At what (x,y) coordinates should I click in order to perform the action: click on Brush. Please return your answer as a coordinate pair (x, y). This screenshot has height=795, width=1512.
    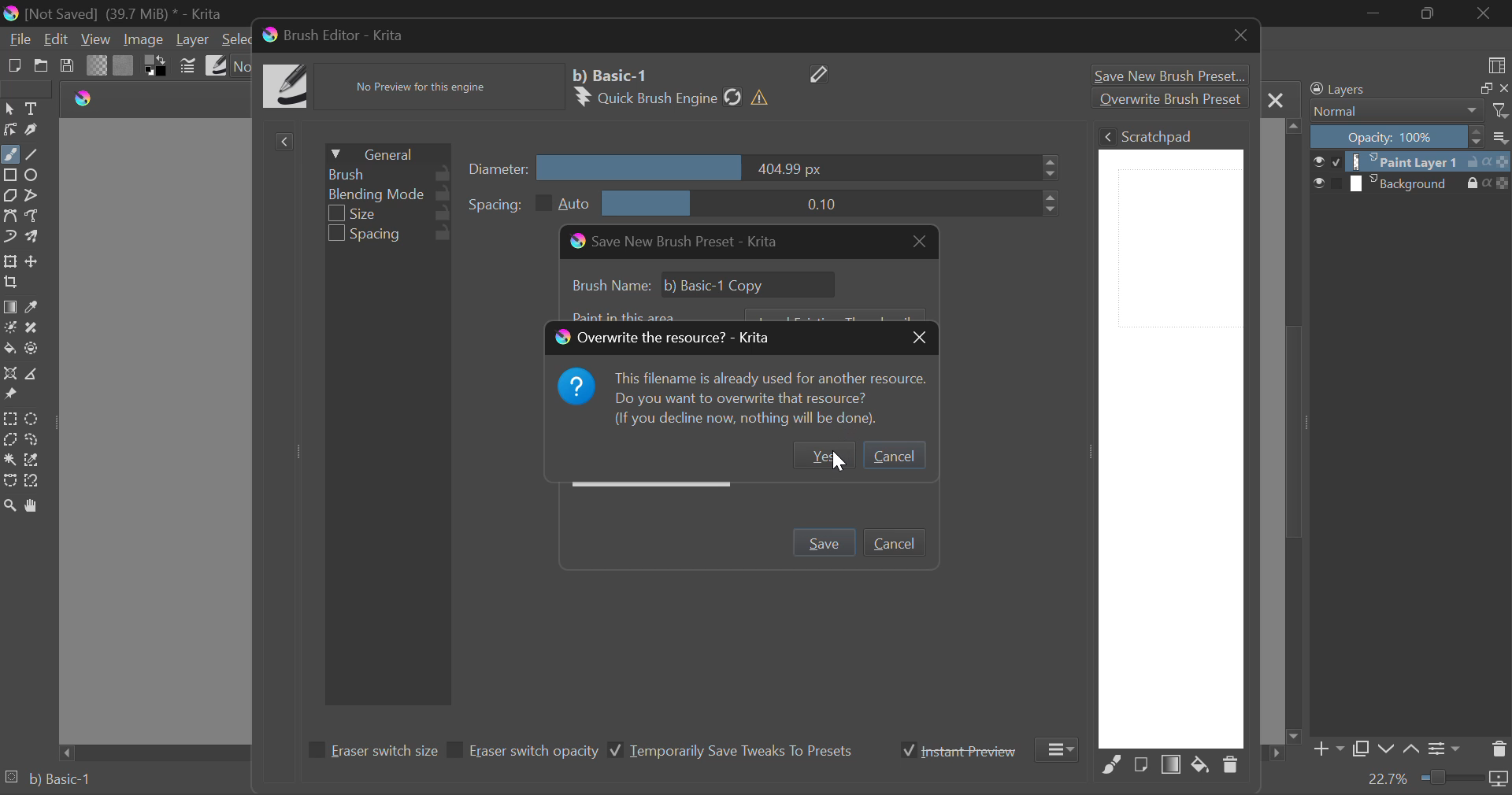
    Looking at the image, I should click on (387, 173).